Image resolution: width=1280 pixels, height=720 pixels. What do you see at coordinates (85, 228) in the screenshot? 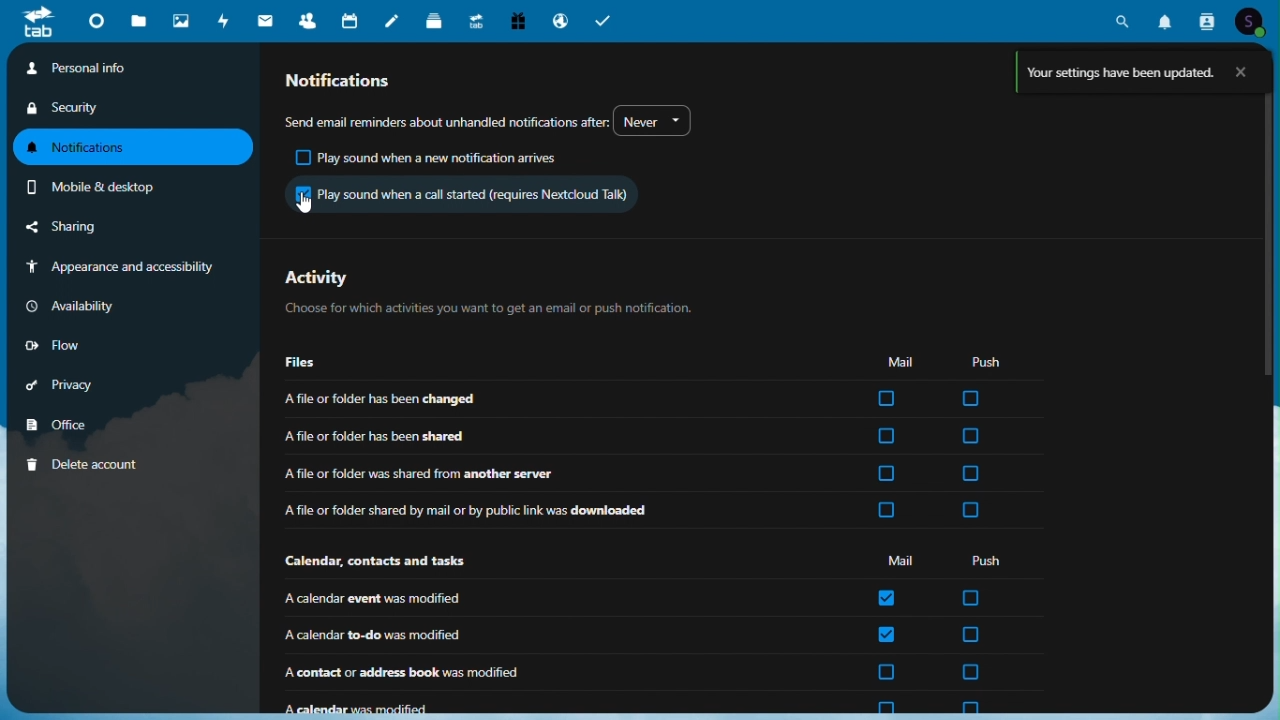
I see `Sharing` at bounding box center [85, 228].